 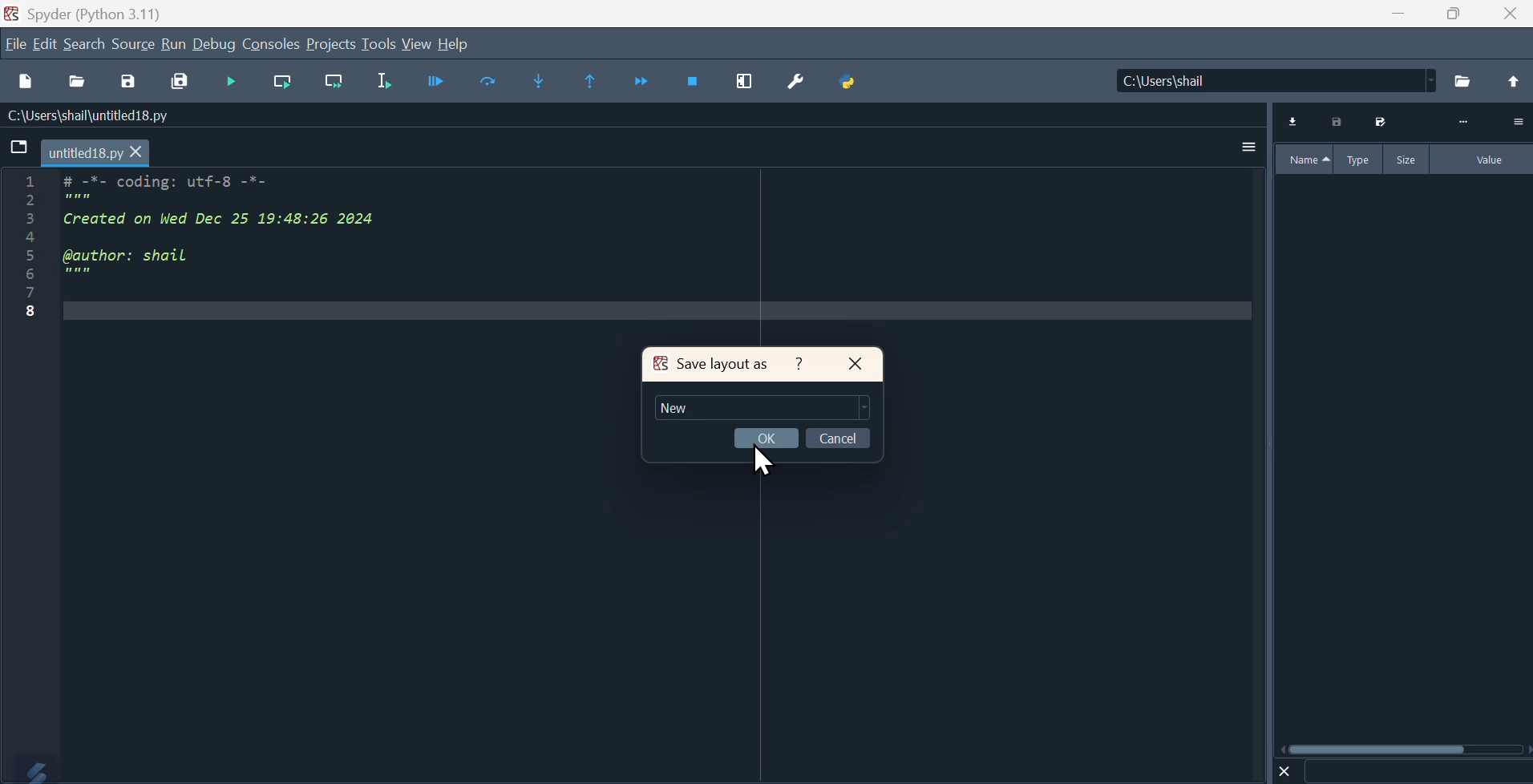 I want to click on Project, so click(x=330, y=43).